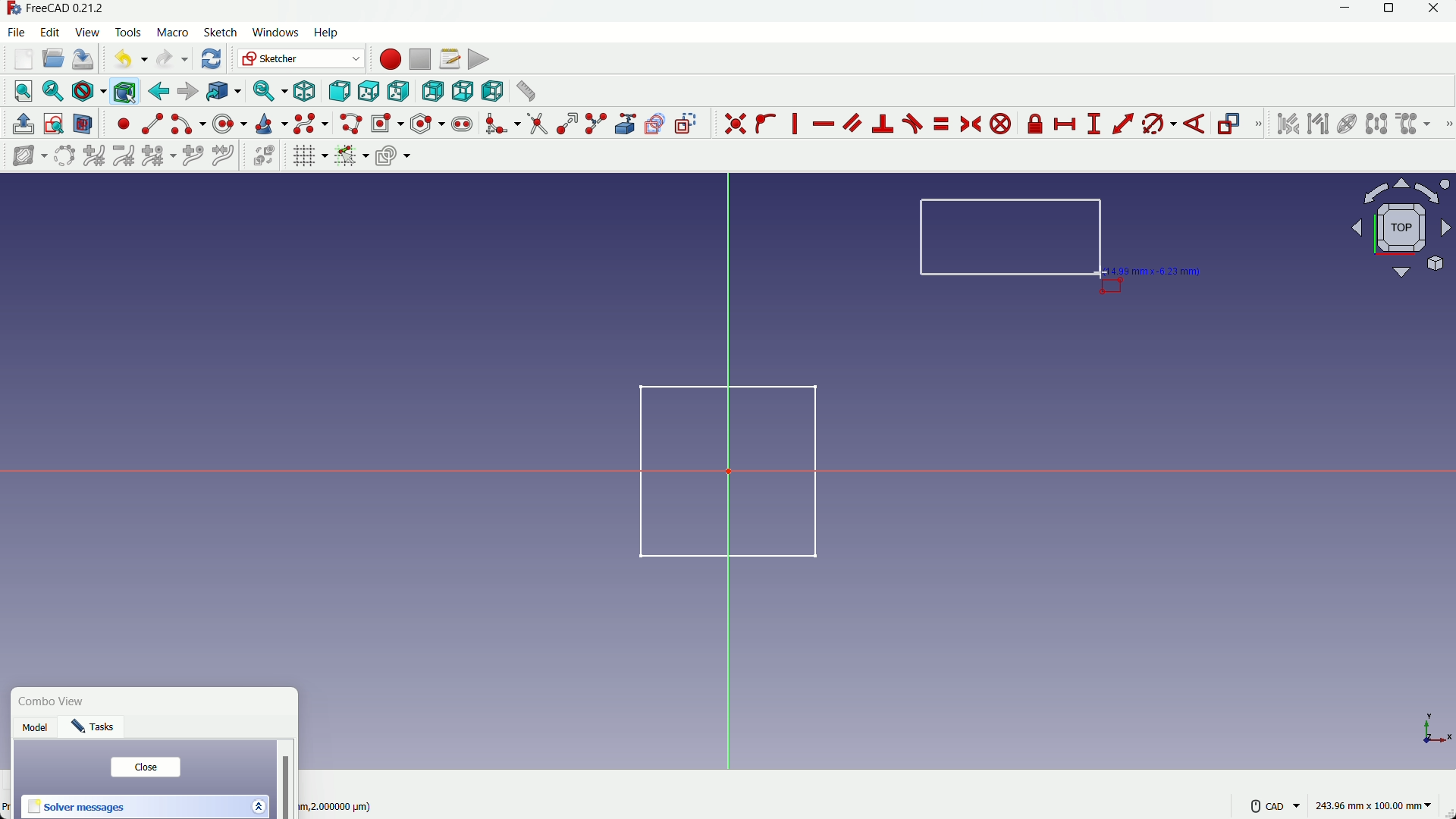 The width and height of the screenshot is (1456, 819). I want to click on view sketch, so click(55, 125).